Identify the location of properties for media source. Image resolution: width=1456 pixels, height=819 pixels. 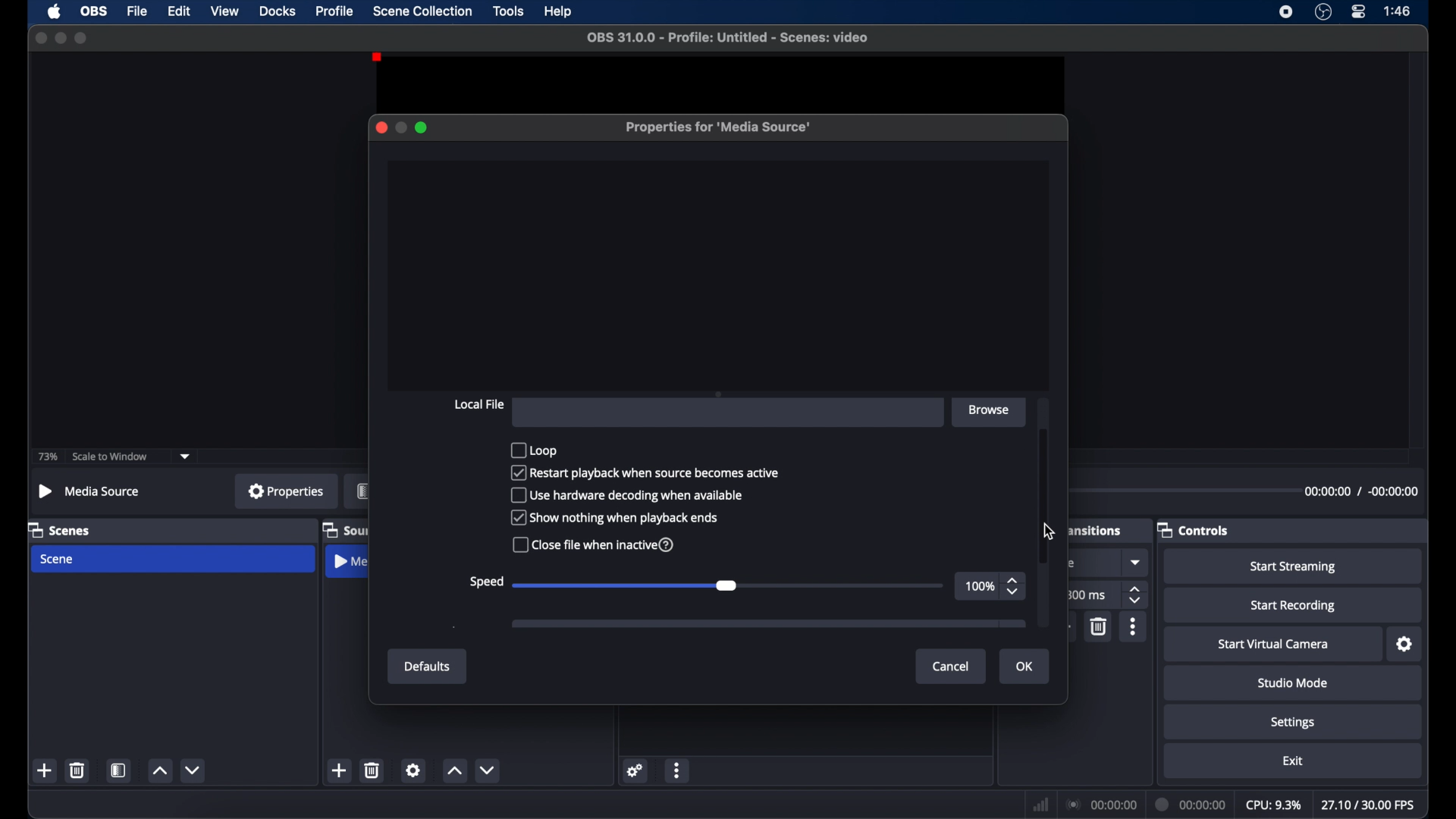
(719, 127).